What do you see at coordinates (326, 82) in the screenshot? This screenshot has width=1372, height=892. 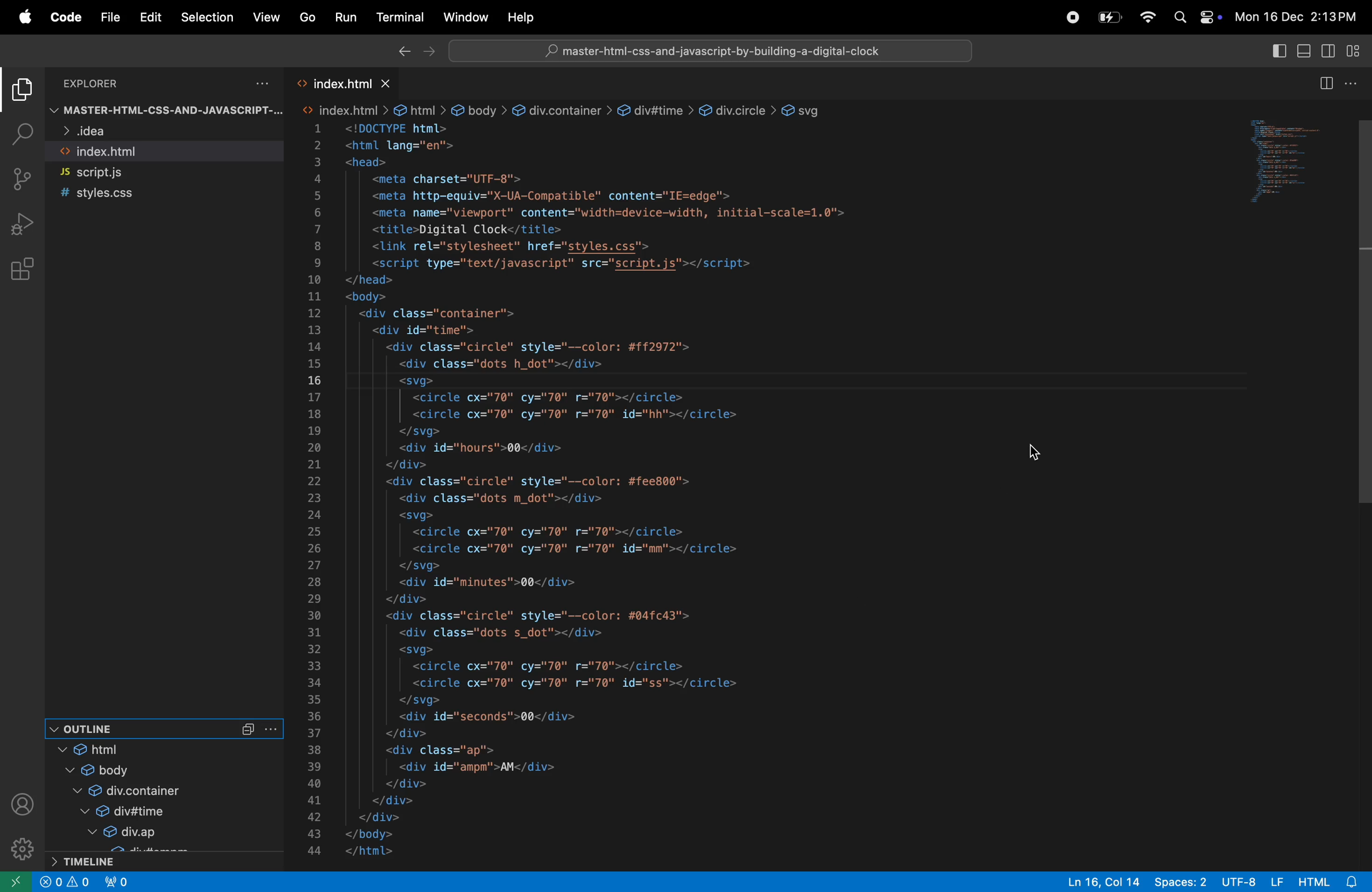 I see `index.html tab` at bounding box center [326, 82].